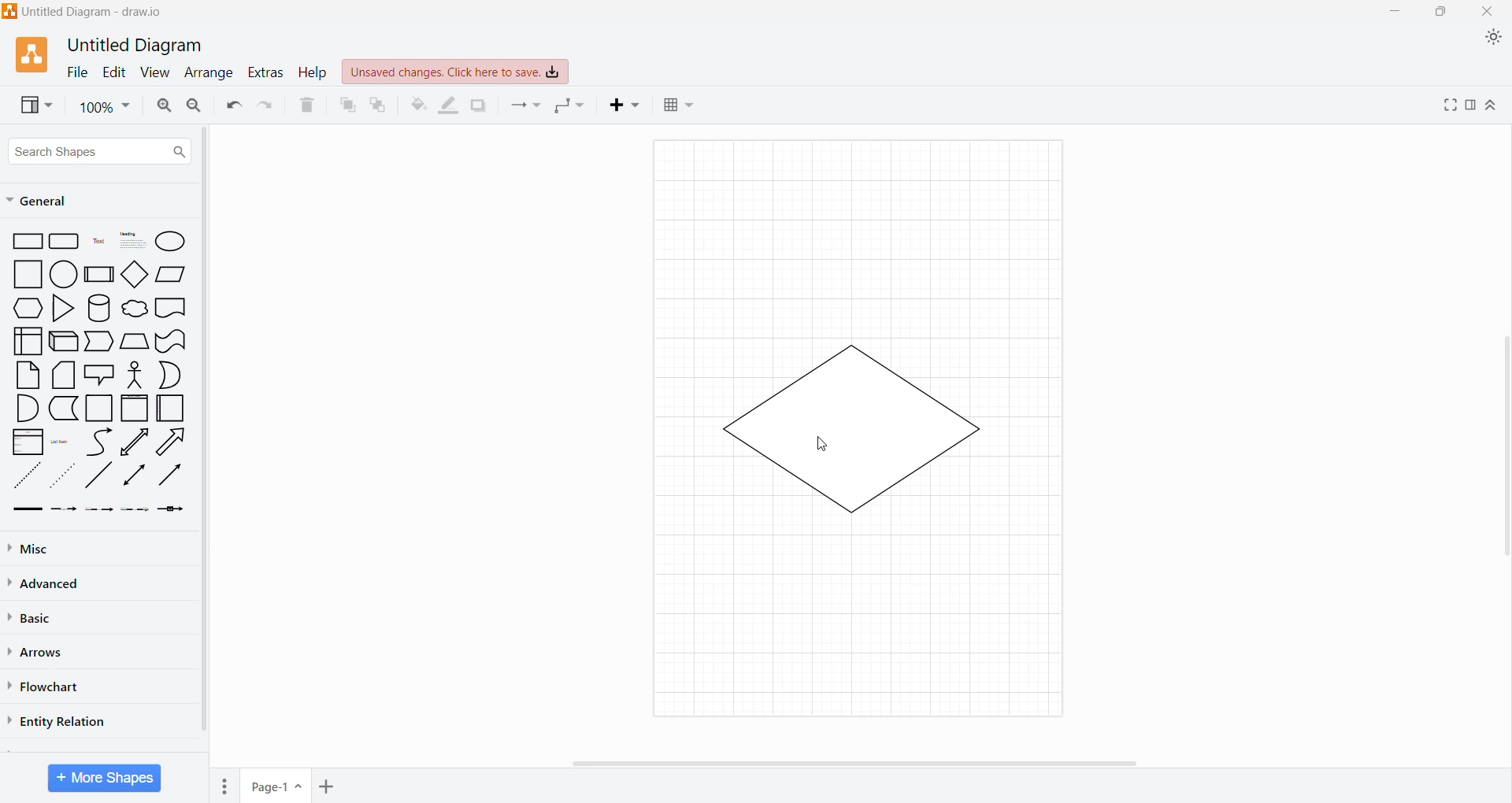  Describe the element at coordinates (628, 105) in the screenshot. I see `Insert` at that location.